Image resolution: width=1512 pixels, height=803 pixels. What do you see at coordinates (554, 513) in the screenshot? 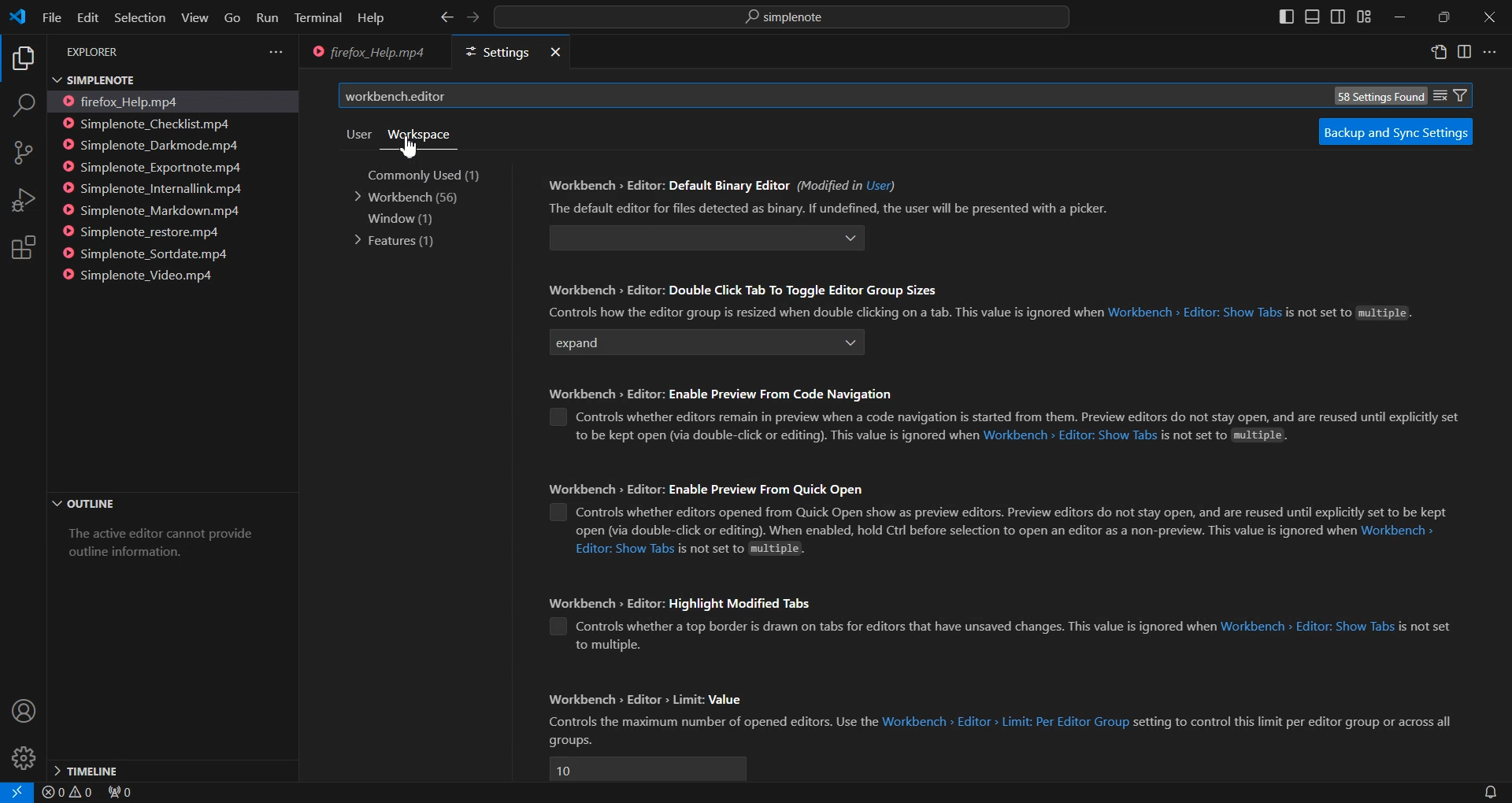
I see `Enable from Quick open` at bounding box center [554, 513].